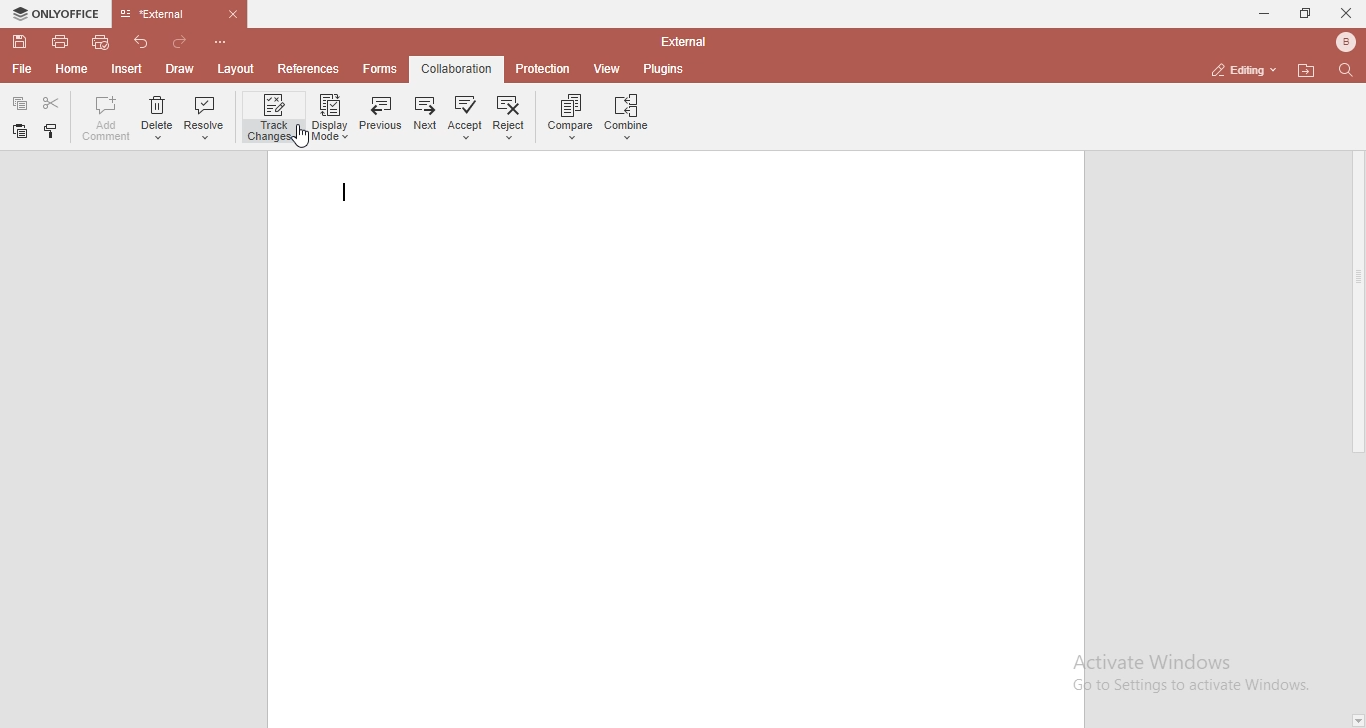 This screenshot has height=728, width=1366. I want to click on quick print, so click(102, 42).